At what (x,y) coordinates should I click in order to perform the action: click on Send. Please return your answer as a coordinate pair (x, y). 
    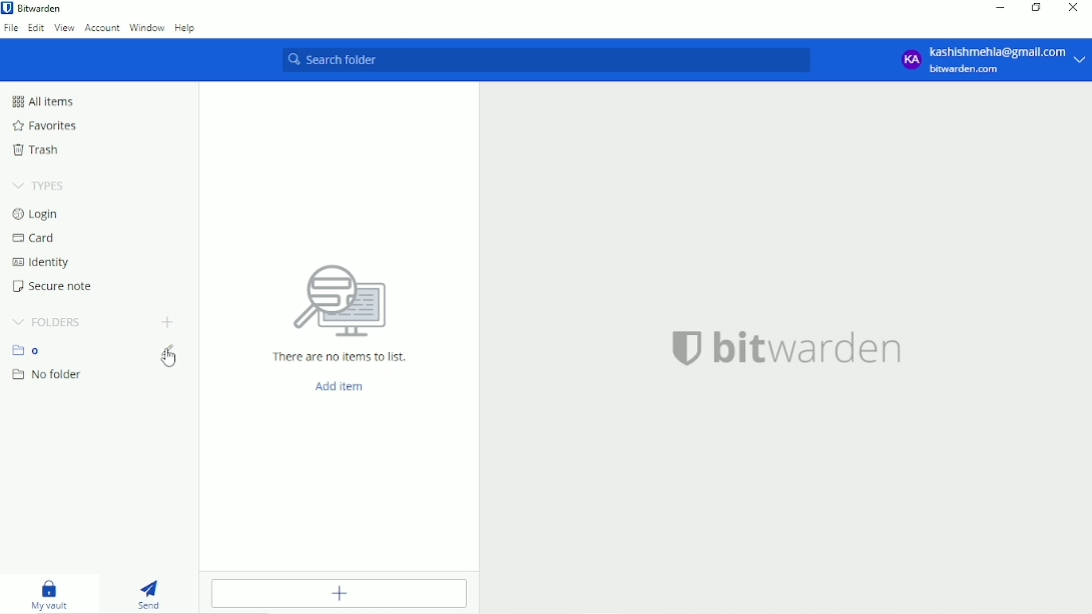
    Looking at the image, I should click on (155, 594).